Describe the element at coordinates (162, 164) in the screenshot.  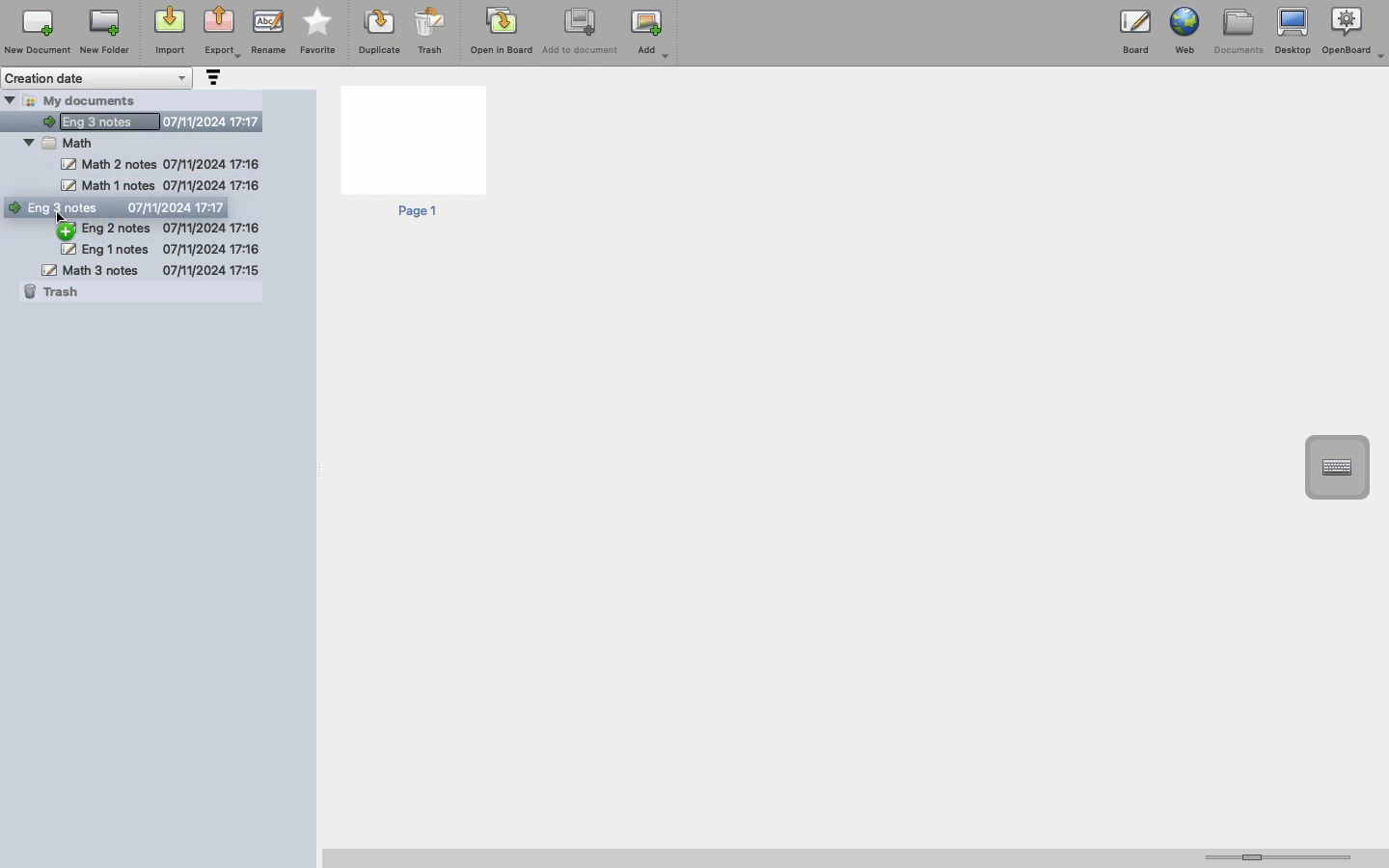
I see `Math 2 notes` at that location.